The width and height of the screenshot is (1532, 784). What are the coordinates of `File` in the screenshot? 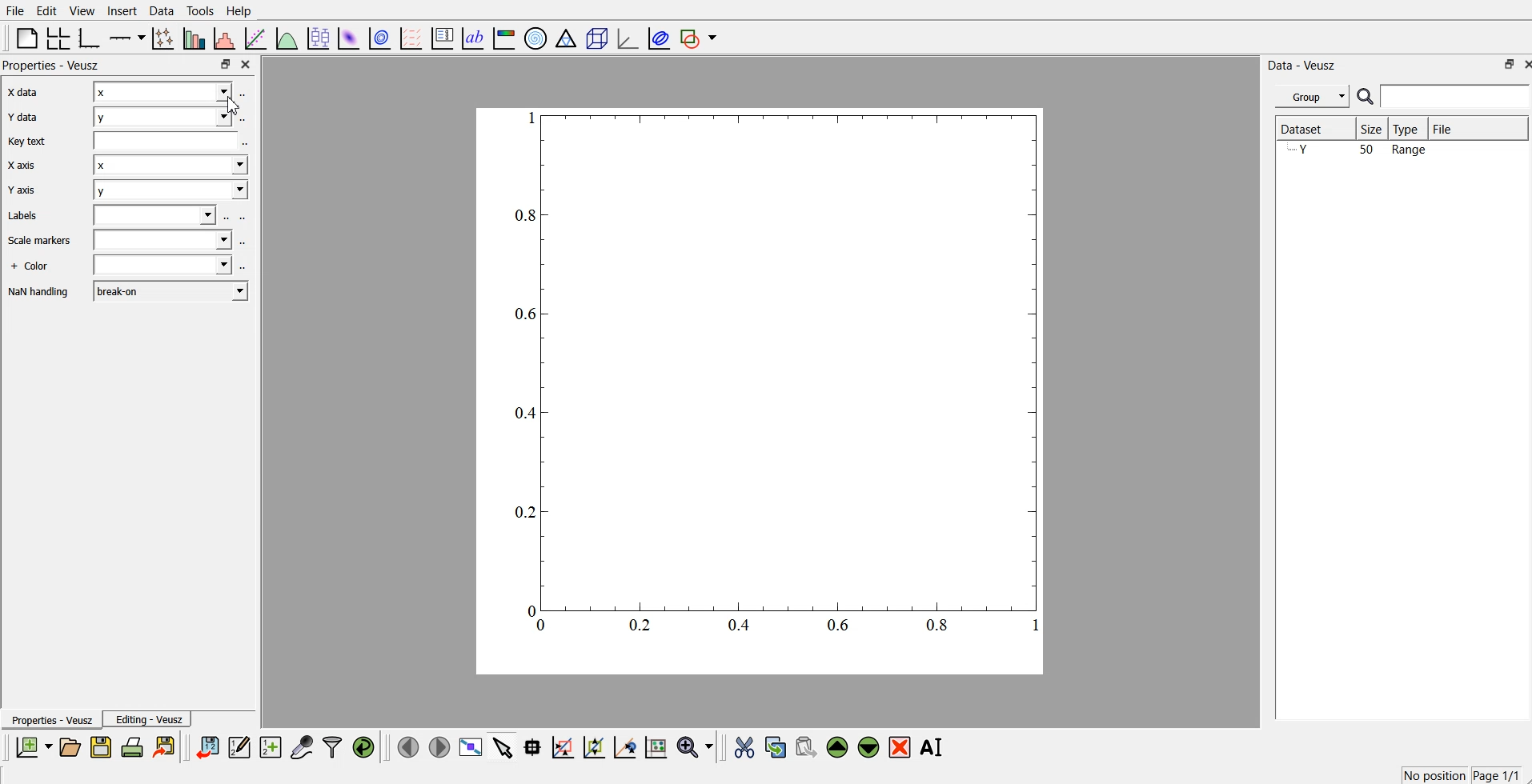 It's located at (1448, 126).